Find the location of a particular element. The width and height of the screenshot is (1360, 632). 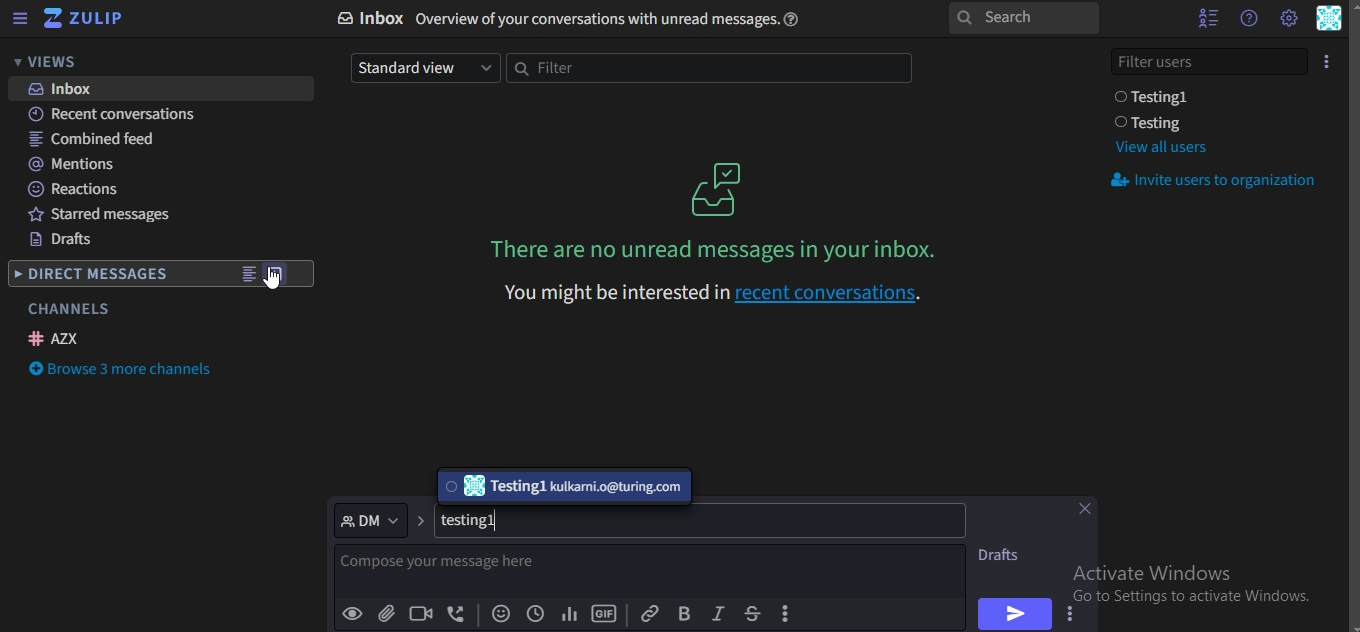

browse 3 more channels is located at coordinates (124, 371).